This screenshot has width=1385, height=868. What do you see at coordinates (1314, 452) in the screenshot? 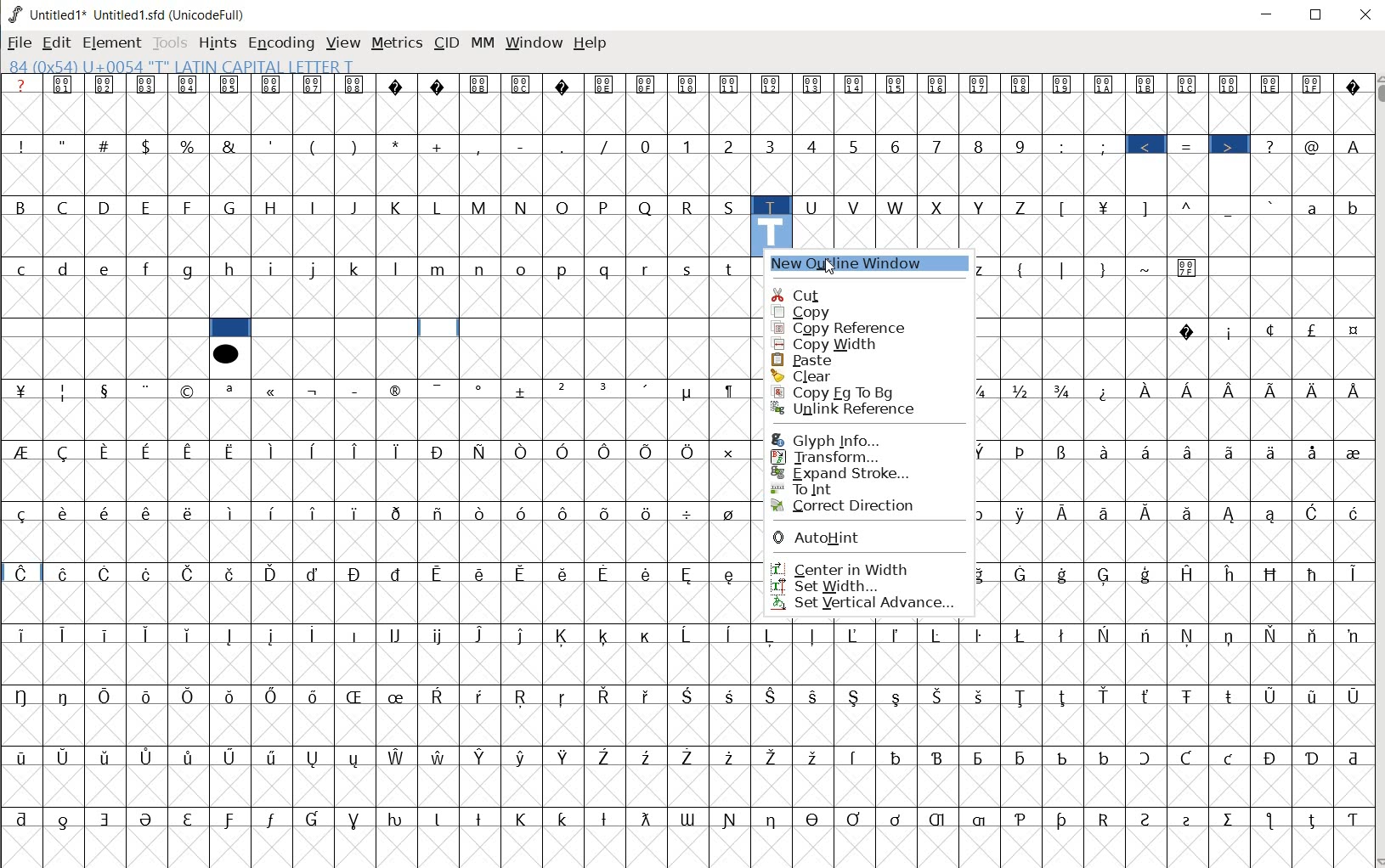
I see `Symbol` at bounding box center [1314, 452].